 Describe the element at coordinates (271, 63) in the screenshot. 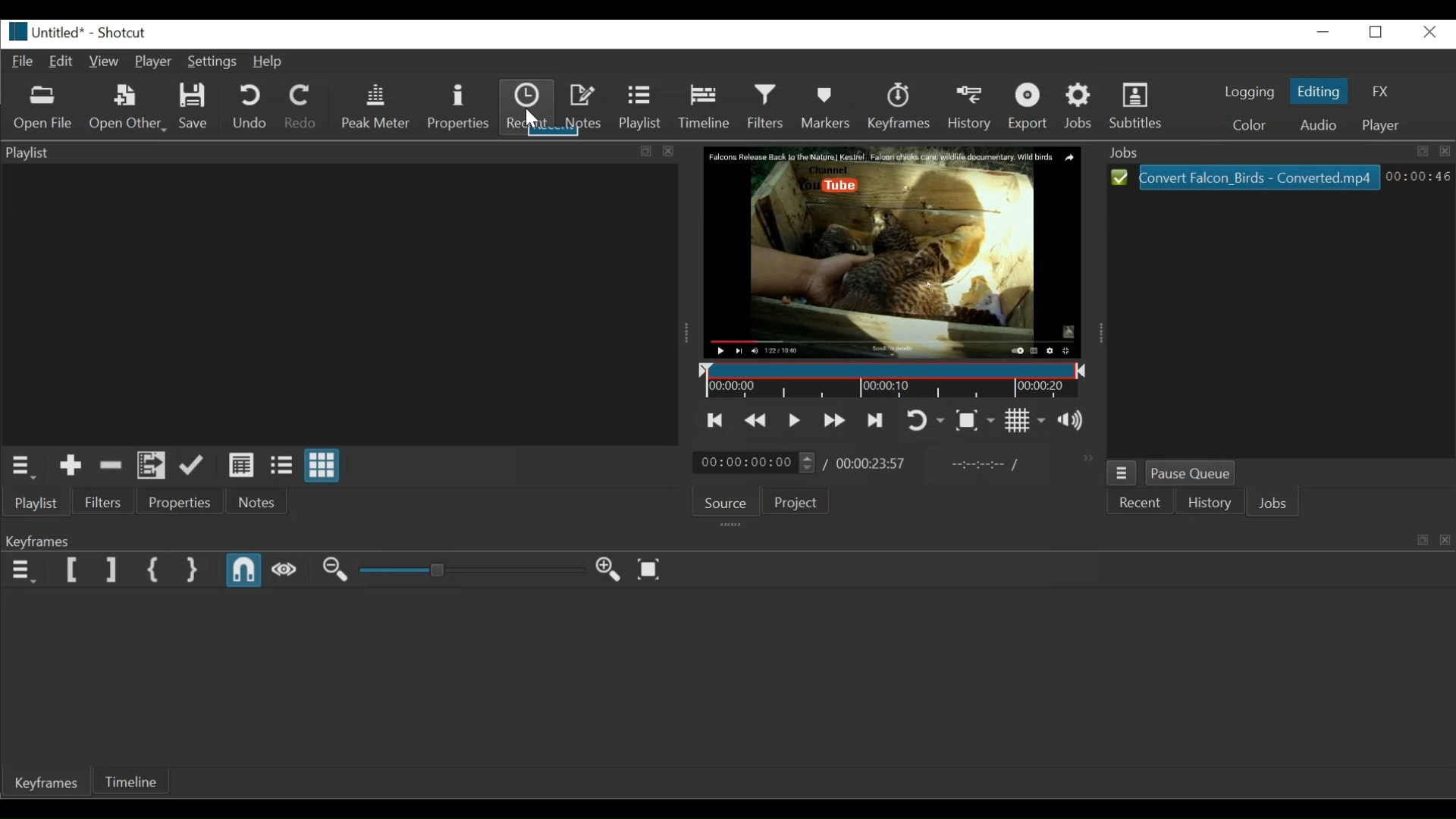

I see `Help` at that location.